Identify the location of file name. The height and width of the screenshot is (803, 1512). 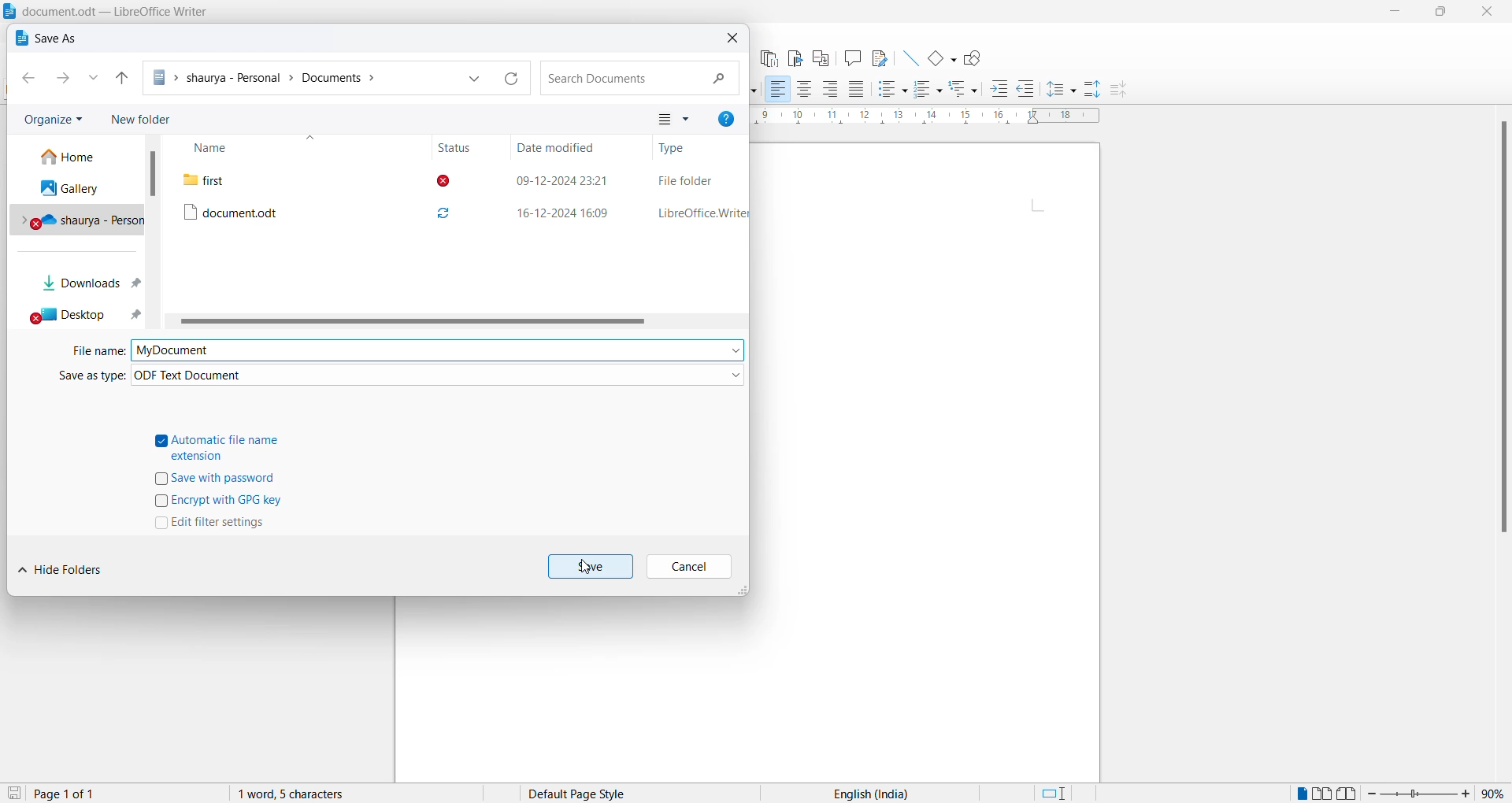
(95, 354).